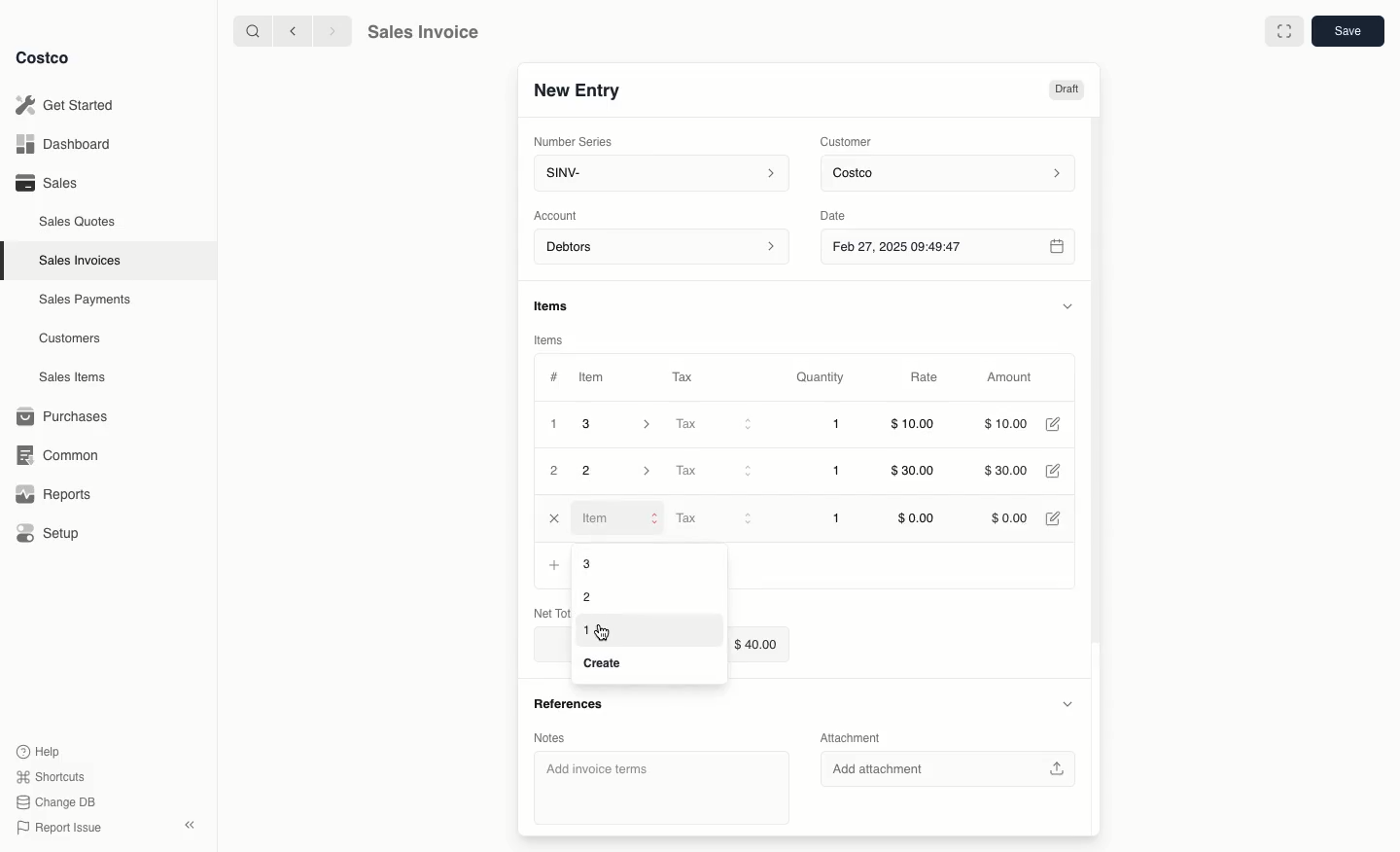 This screenshot has width=1400, height=852. I want to click on Hide, so click(1067, 303).